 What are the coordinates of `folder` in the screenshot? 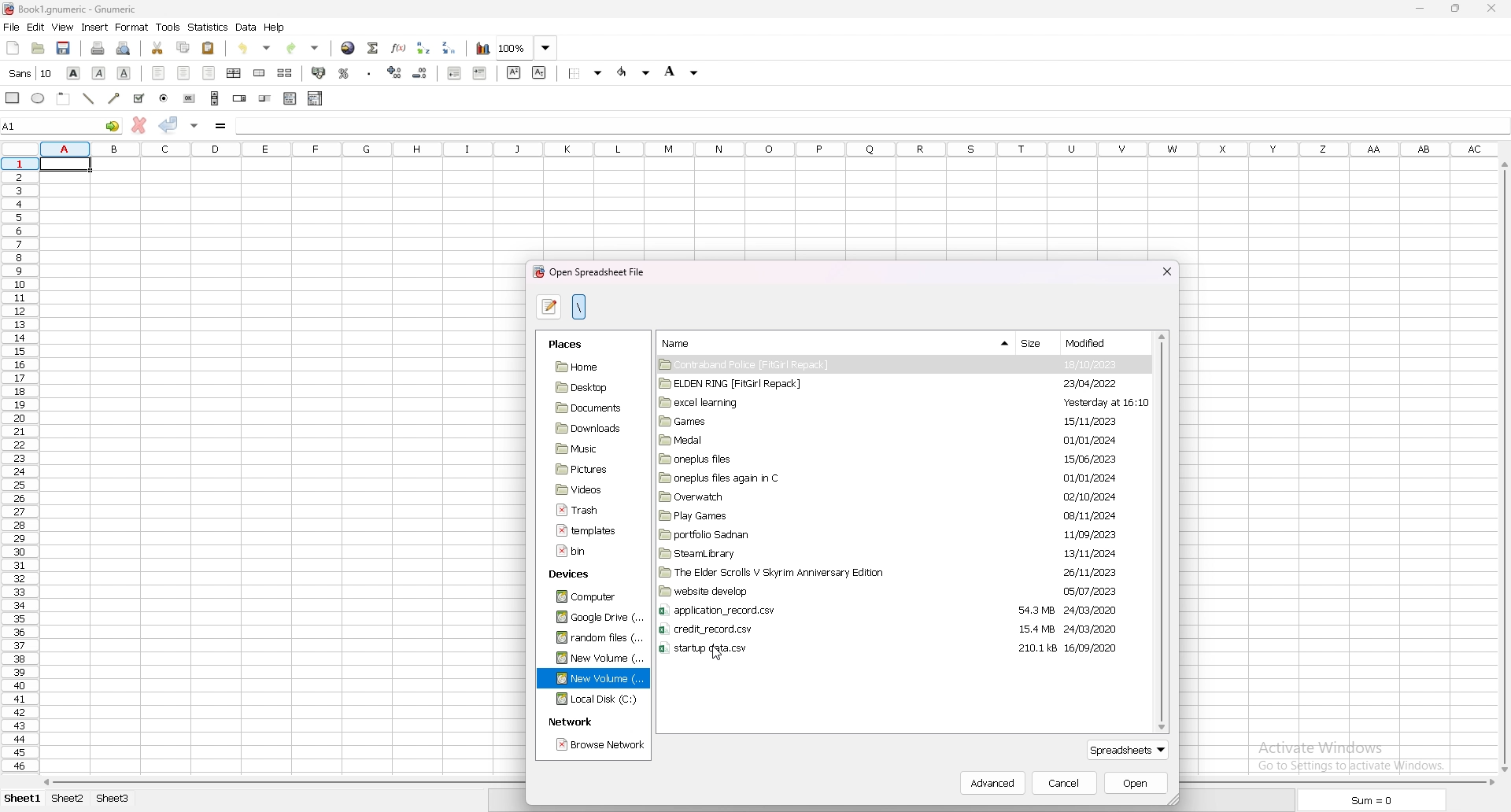 It's located at (585, 448).